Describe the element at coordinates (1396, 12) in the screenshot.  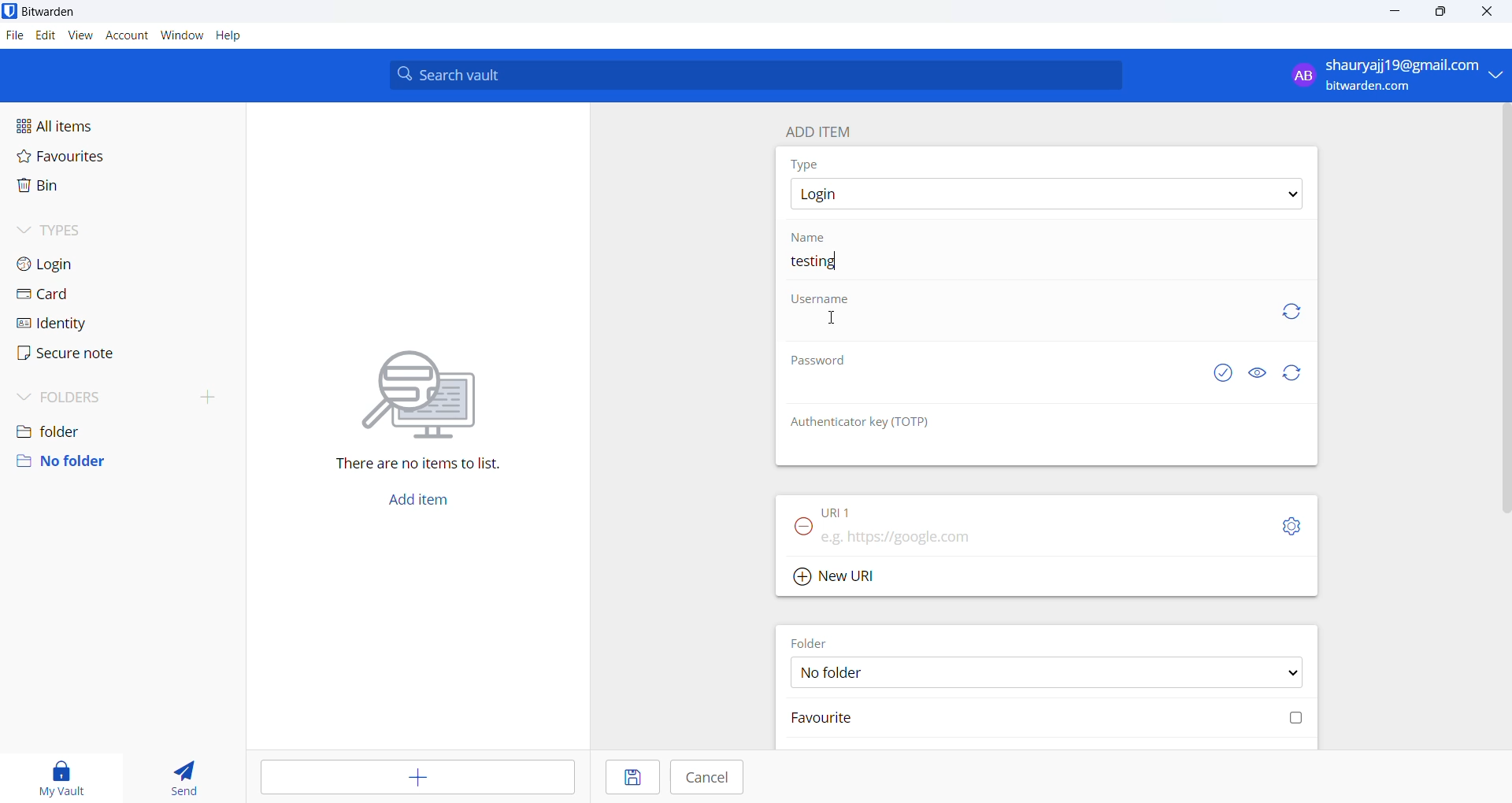
I see `minimize` at that location.